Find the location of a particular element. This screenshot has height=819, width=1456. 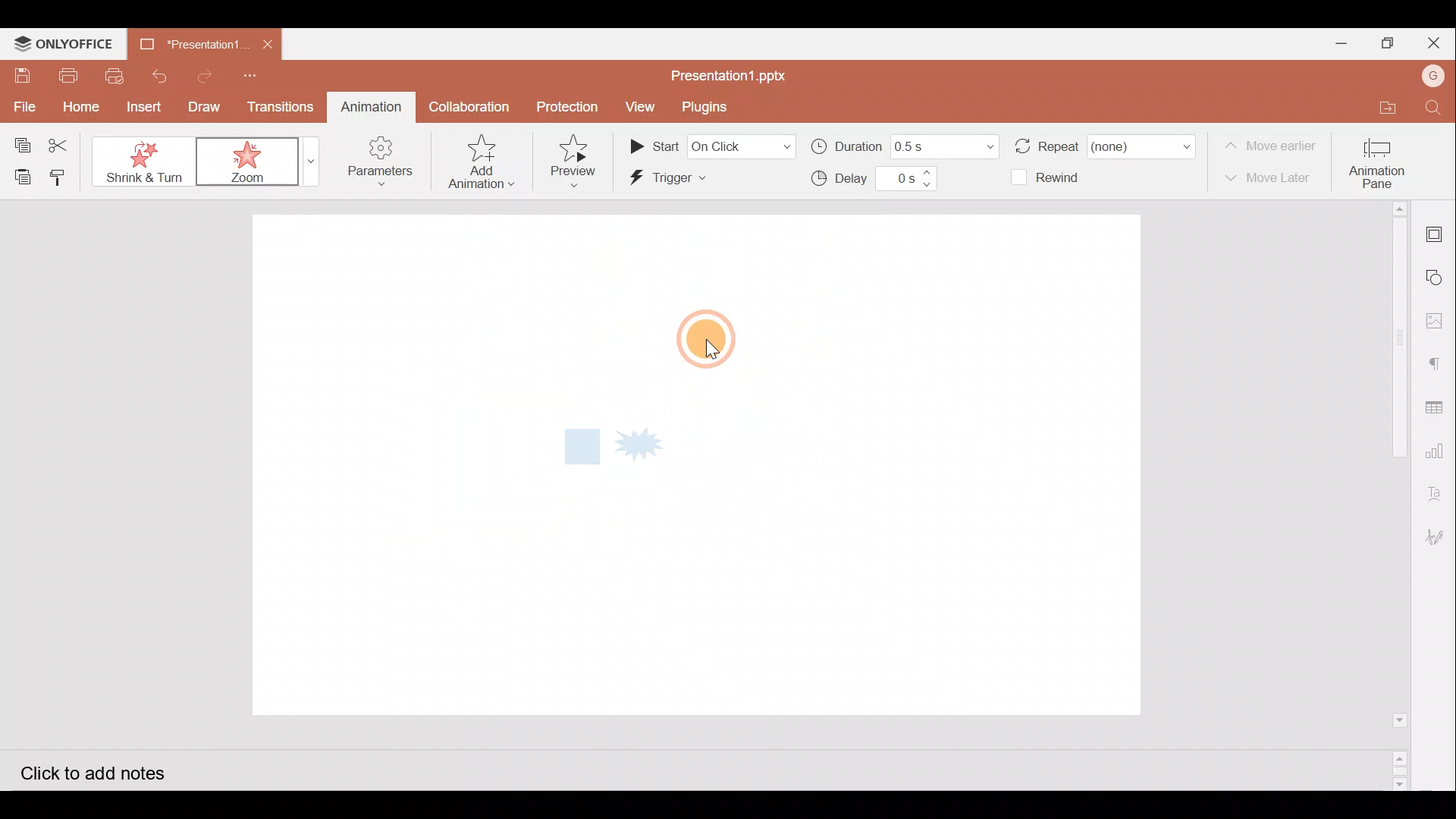

Trigger is located at coordinates (695, 180).